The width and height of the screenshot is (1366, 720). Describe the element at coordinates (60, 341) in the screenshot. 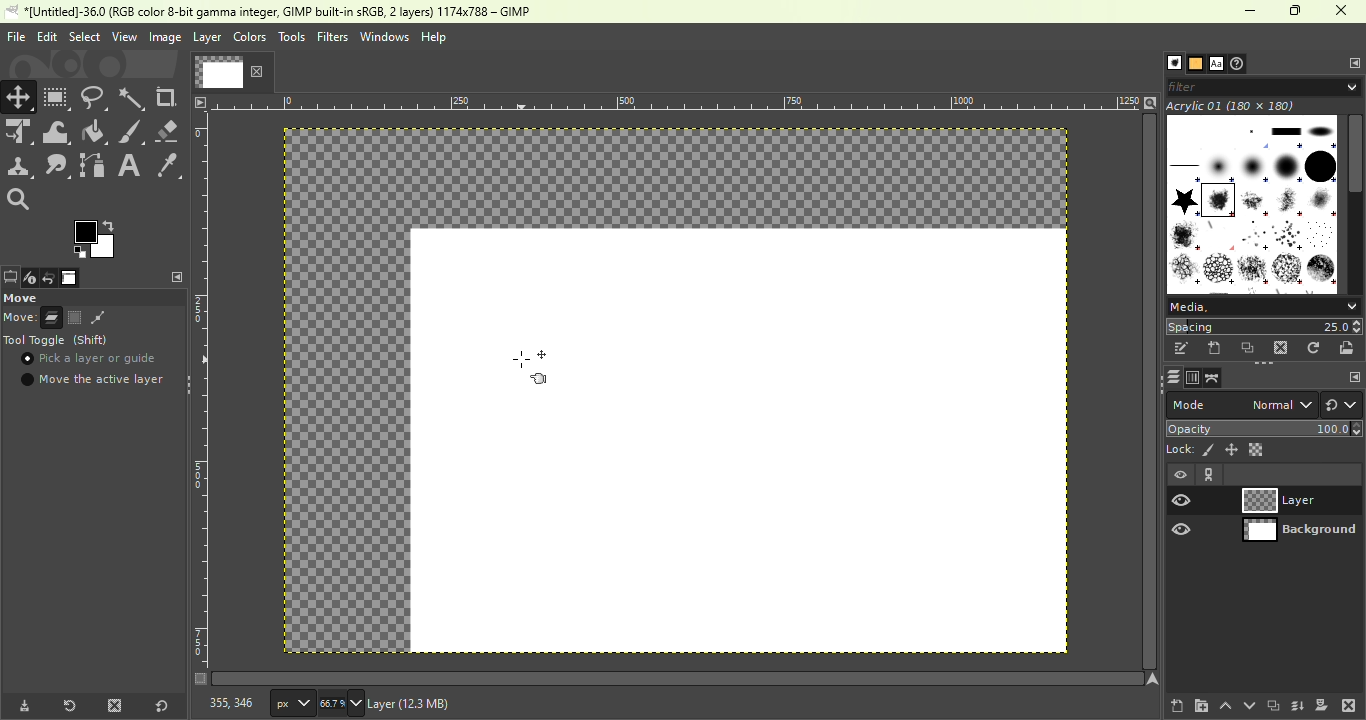

I see `tool toggle ` at that location.